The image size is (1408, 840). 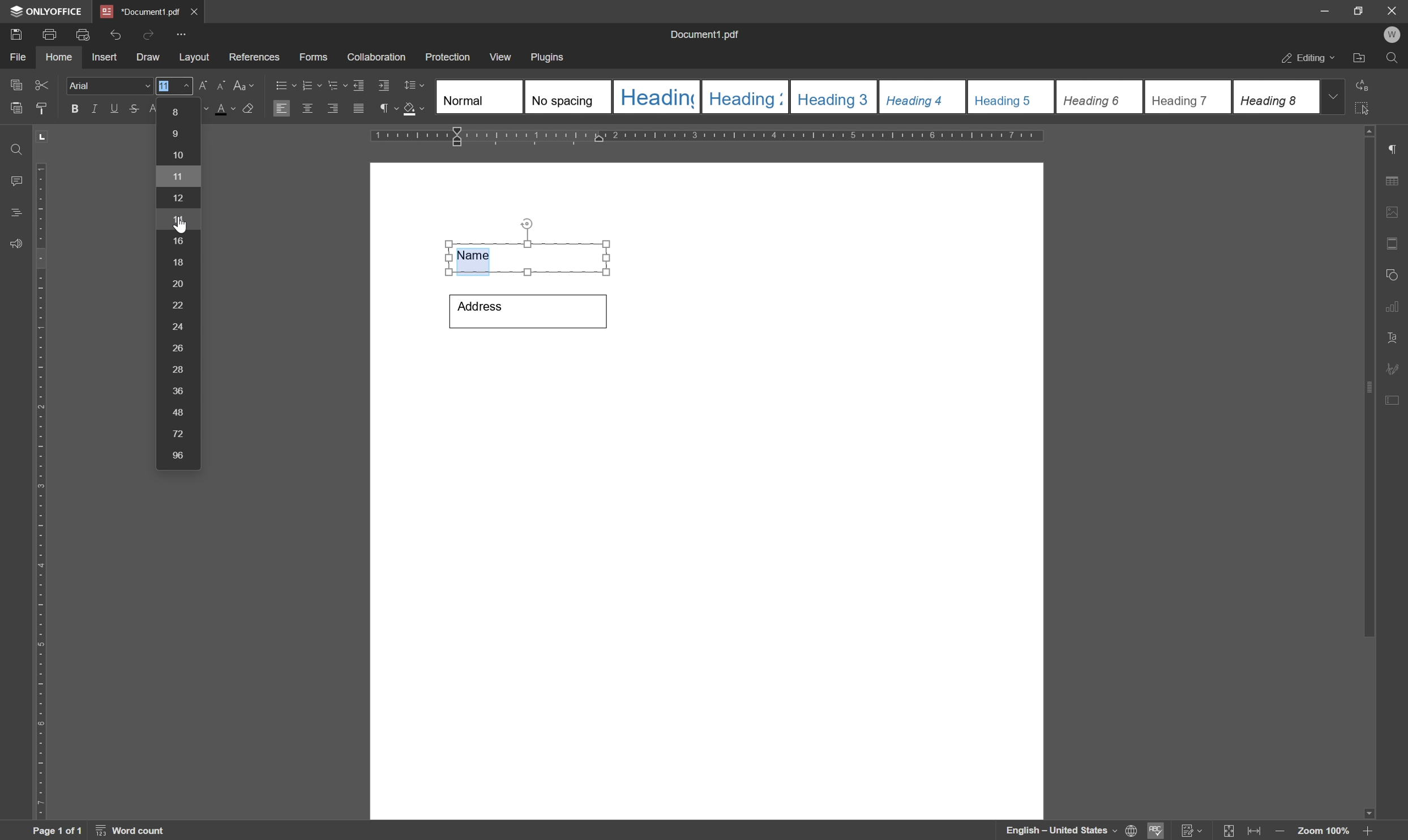 I want to click on redo, so click(x=148, y=33).